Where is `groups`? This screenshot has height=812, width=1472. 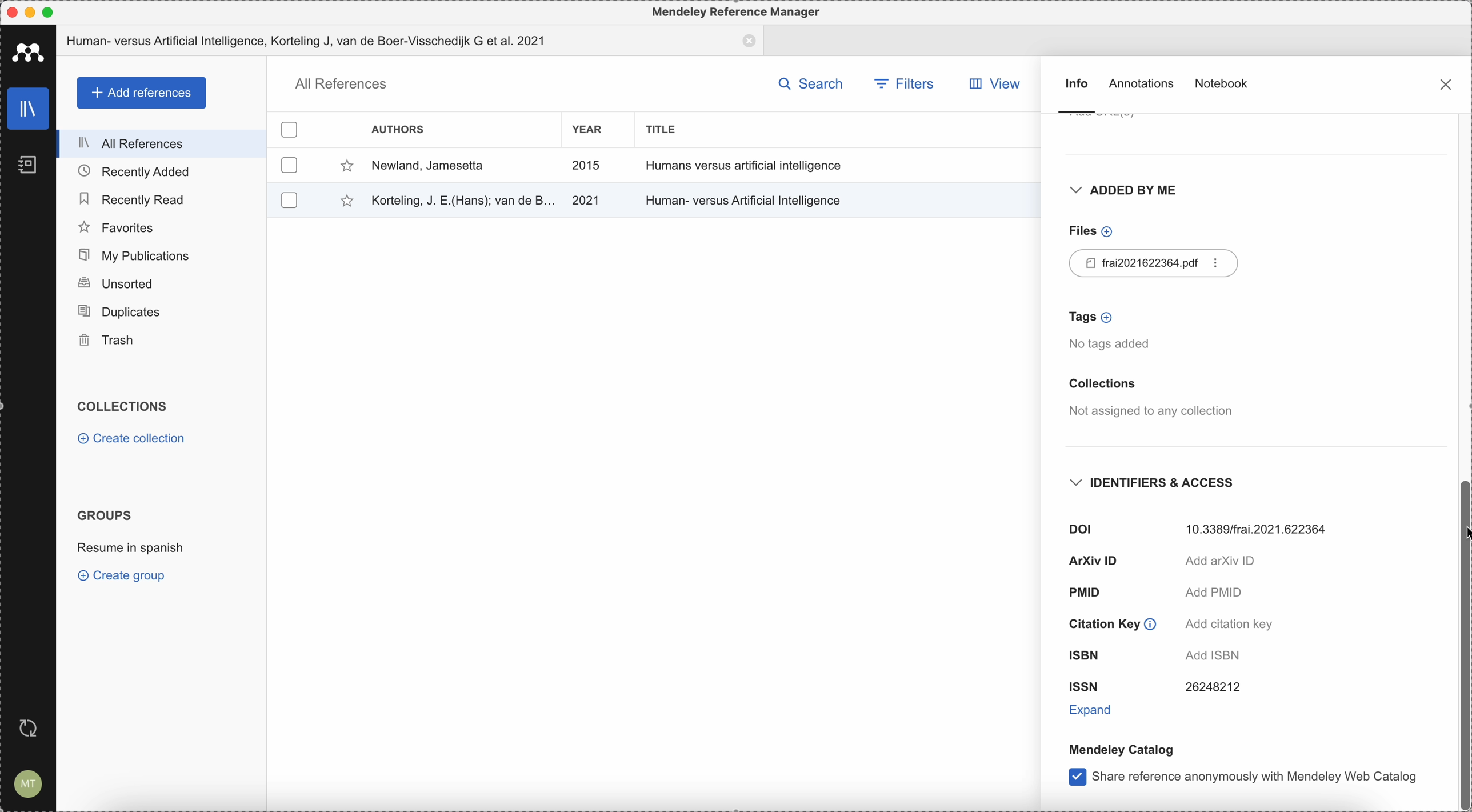 groups is located at coordinates (105, 515).